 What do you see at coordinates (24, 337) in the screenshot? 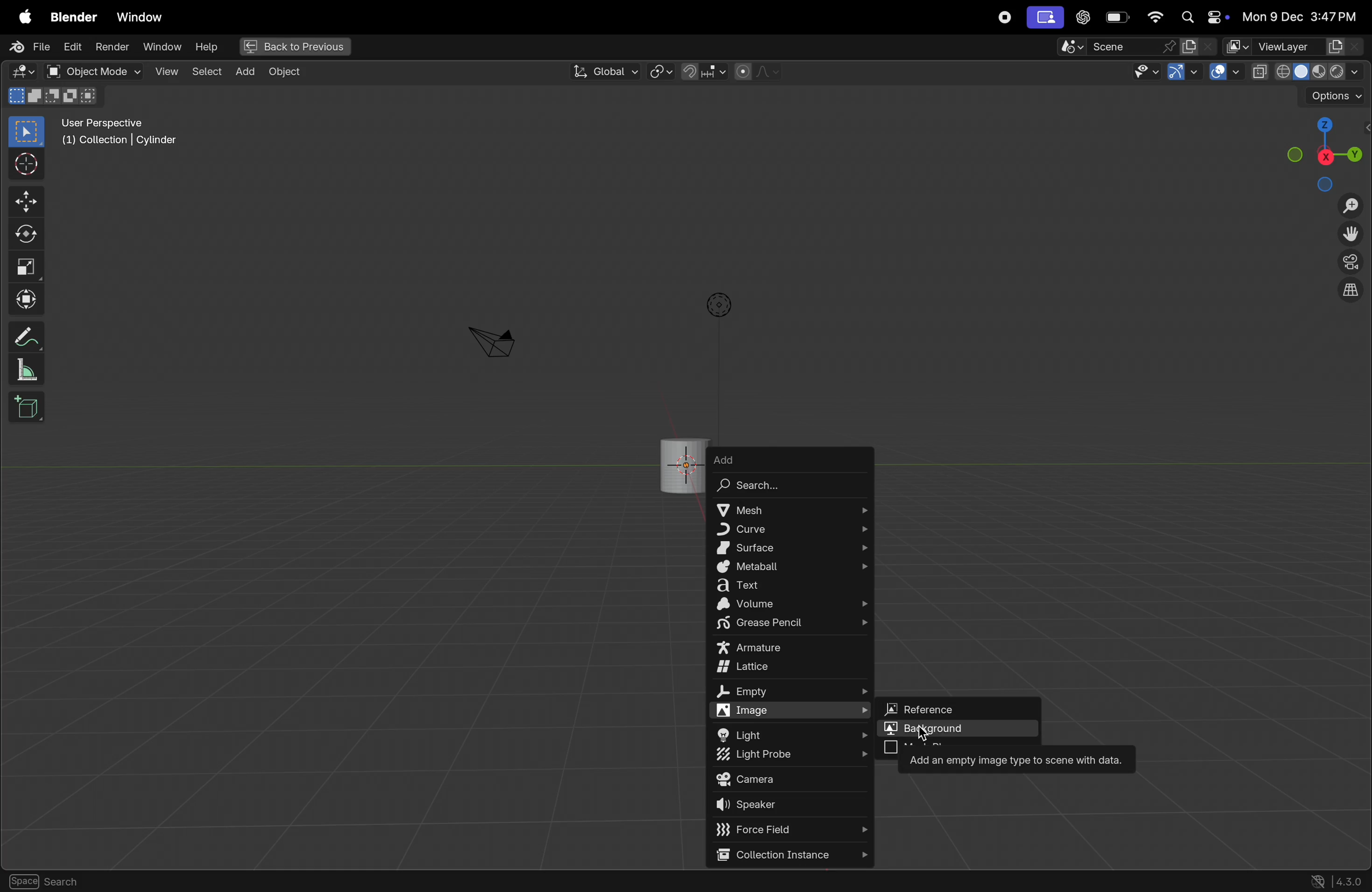
I see `annotate` at bounding box center [24, 337].